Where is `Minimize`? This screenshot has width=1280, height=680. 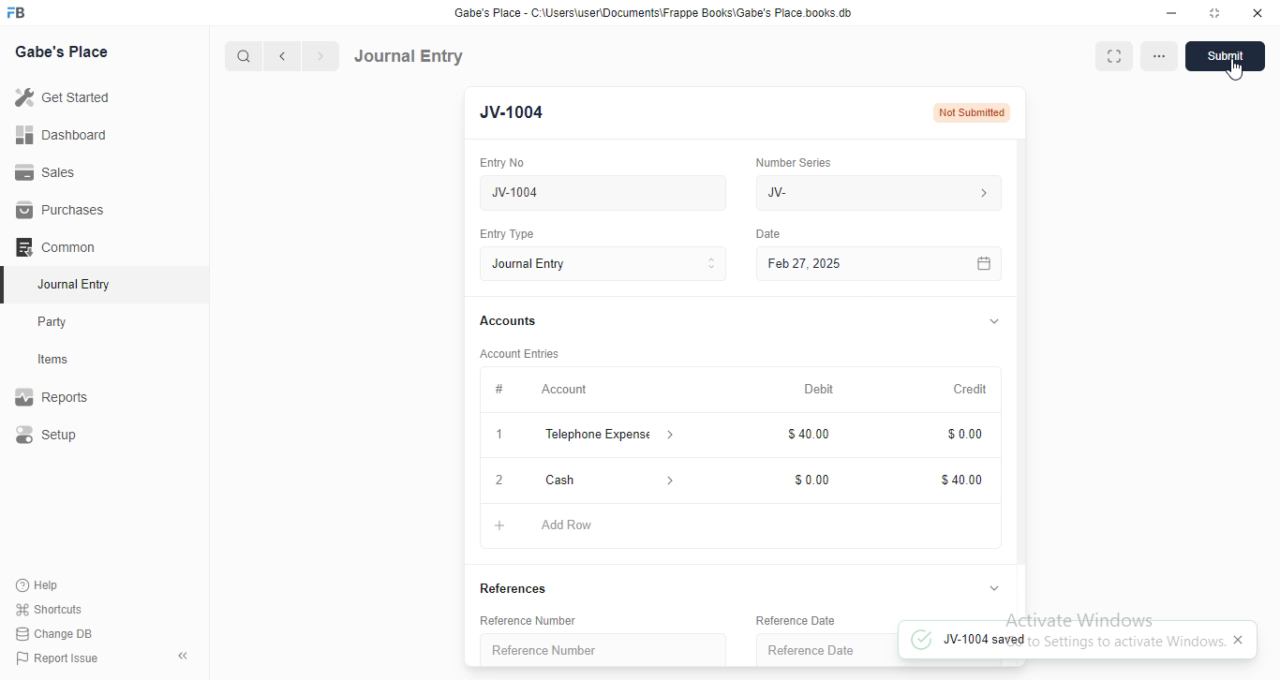
Minimize is located at coordinates (1172, 13).